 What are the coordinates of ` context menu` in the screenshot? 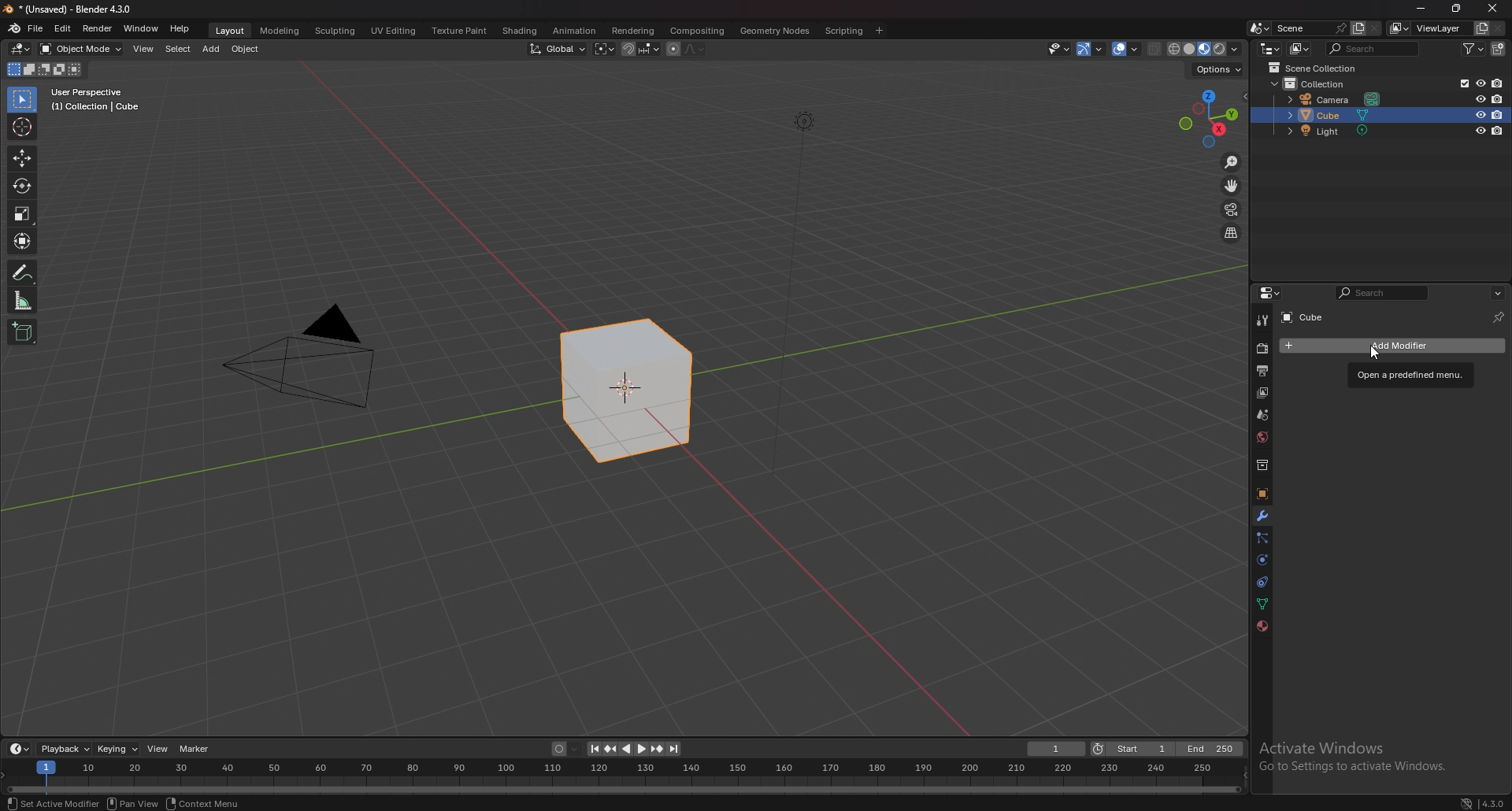 It's located at (209, 803).